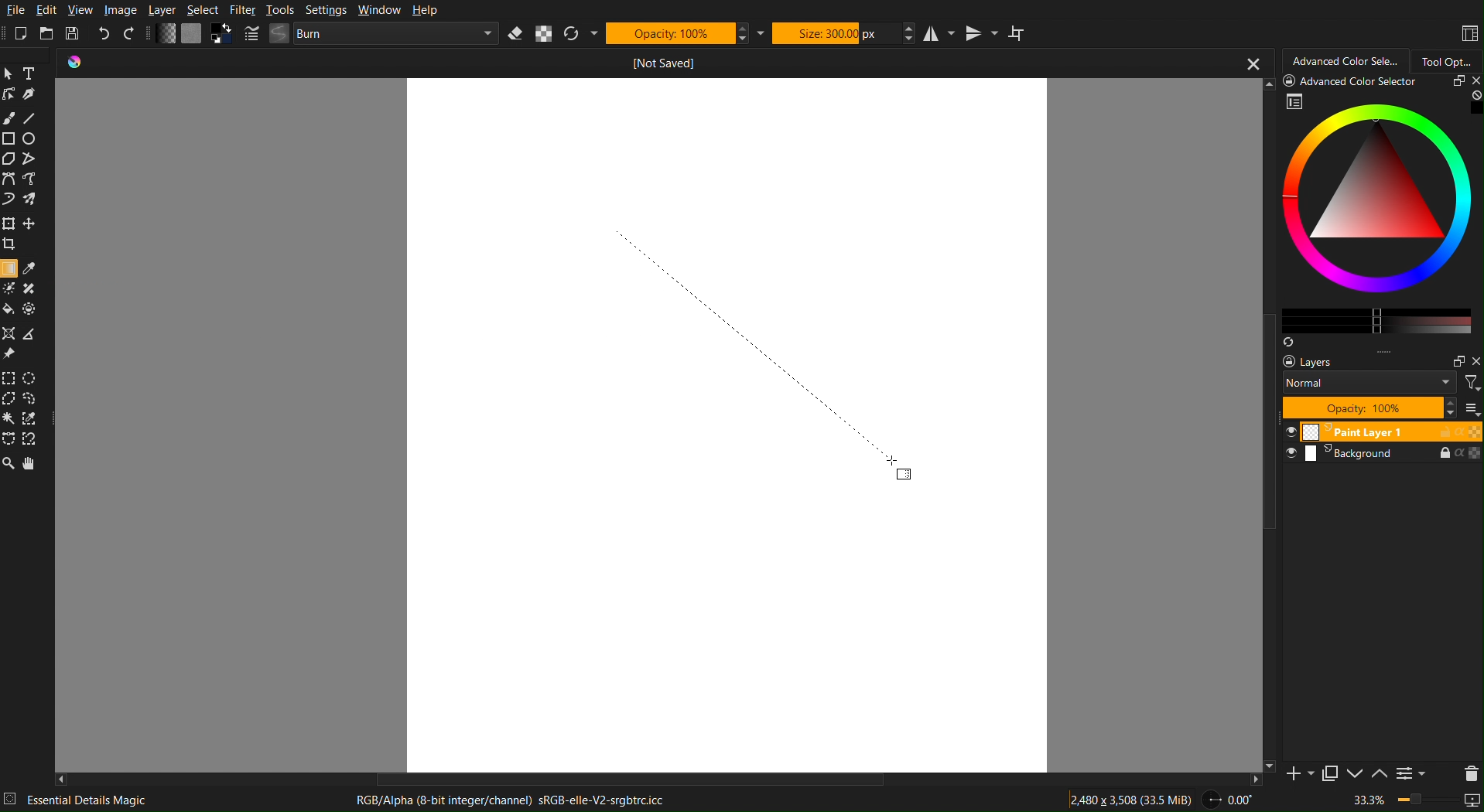 This screenshot has width=1484, height=812. Describe the element at coordinates (1342, 60) in the screenshot. I see `Advanced Color Selector` at that location.